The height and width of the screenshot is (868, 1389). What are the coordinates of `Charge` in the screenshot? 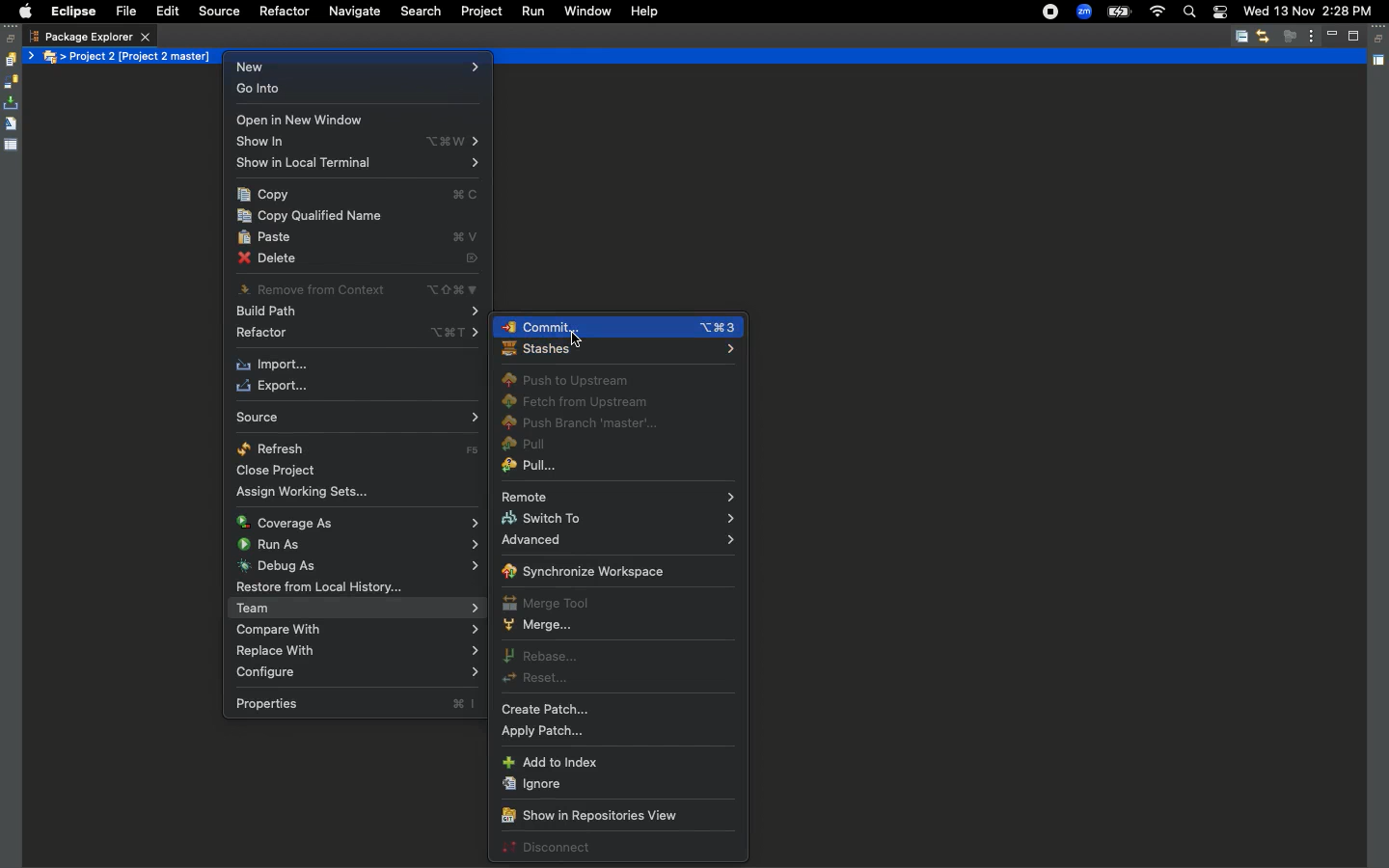 It's located at (1118, 14).